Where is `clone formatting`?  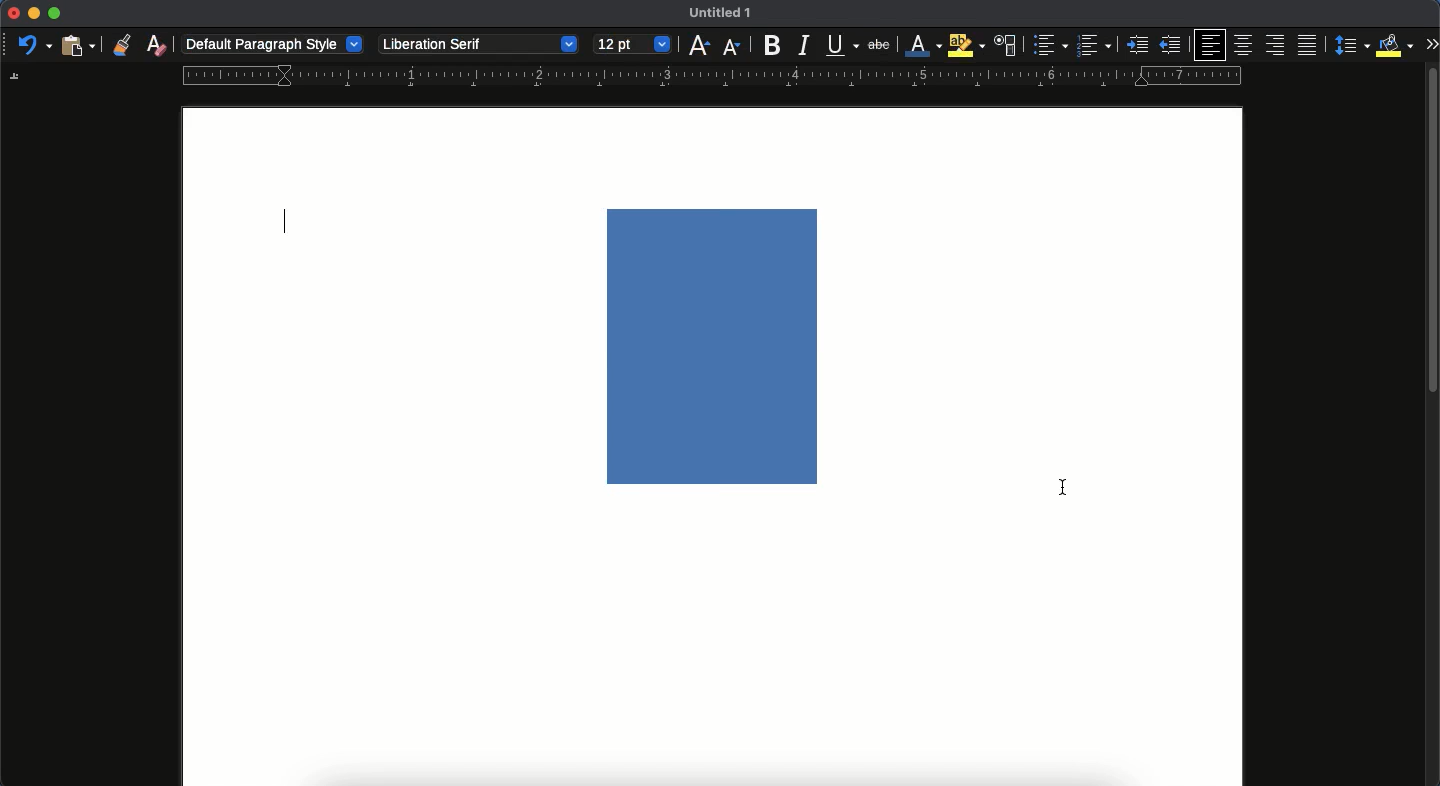 clone formatting is located at coordinates (121, 43).